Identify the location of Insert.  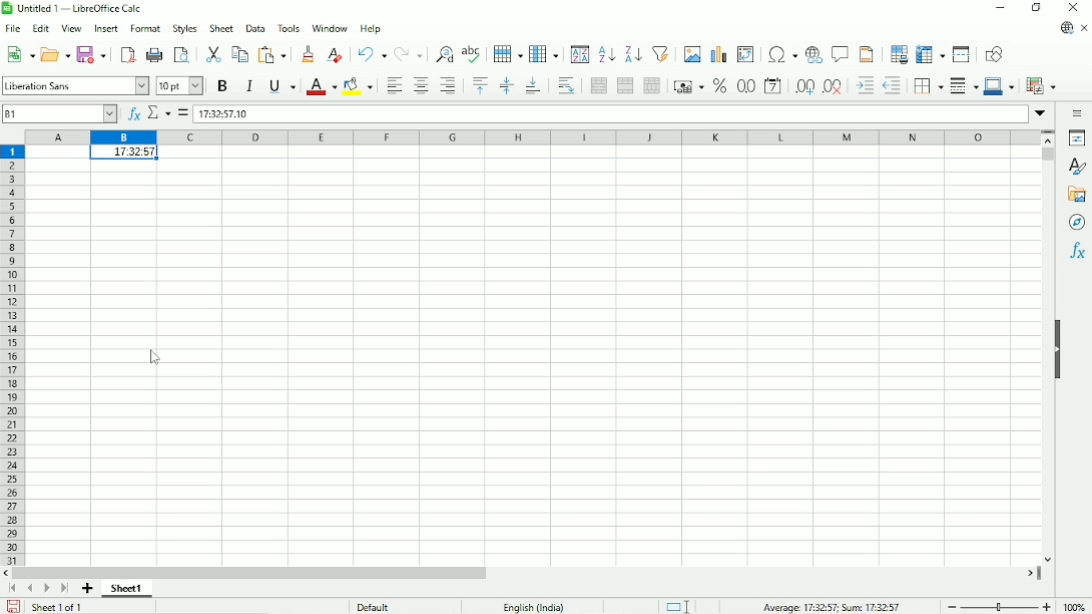
(105, 29).